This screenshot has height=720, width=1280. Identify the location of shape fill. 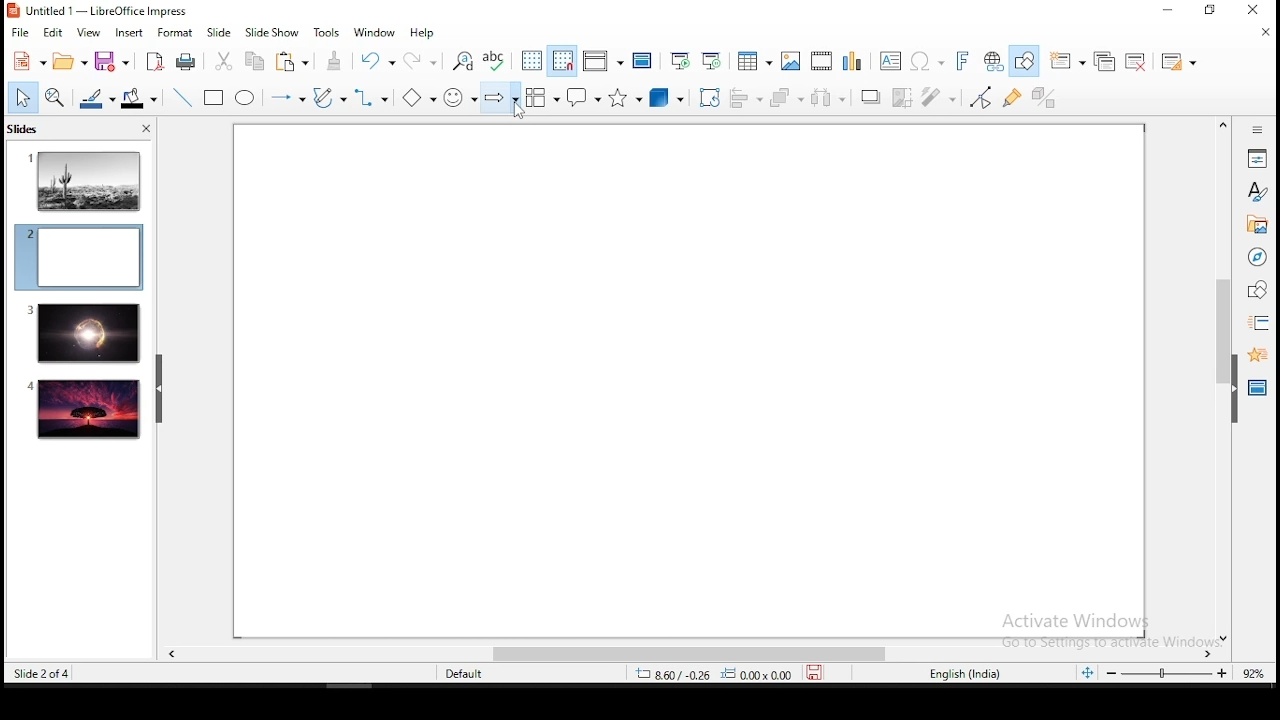
(138, 100).